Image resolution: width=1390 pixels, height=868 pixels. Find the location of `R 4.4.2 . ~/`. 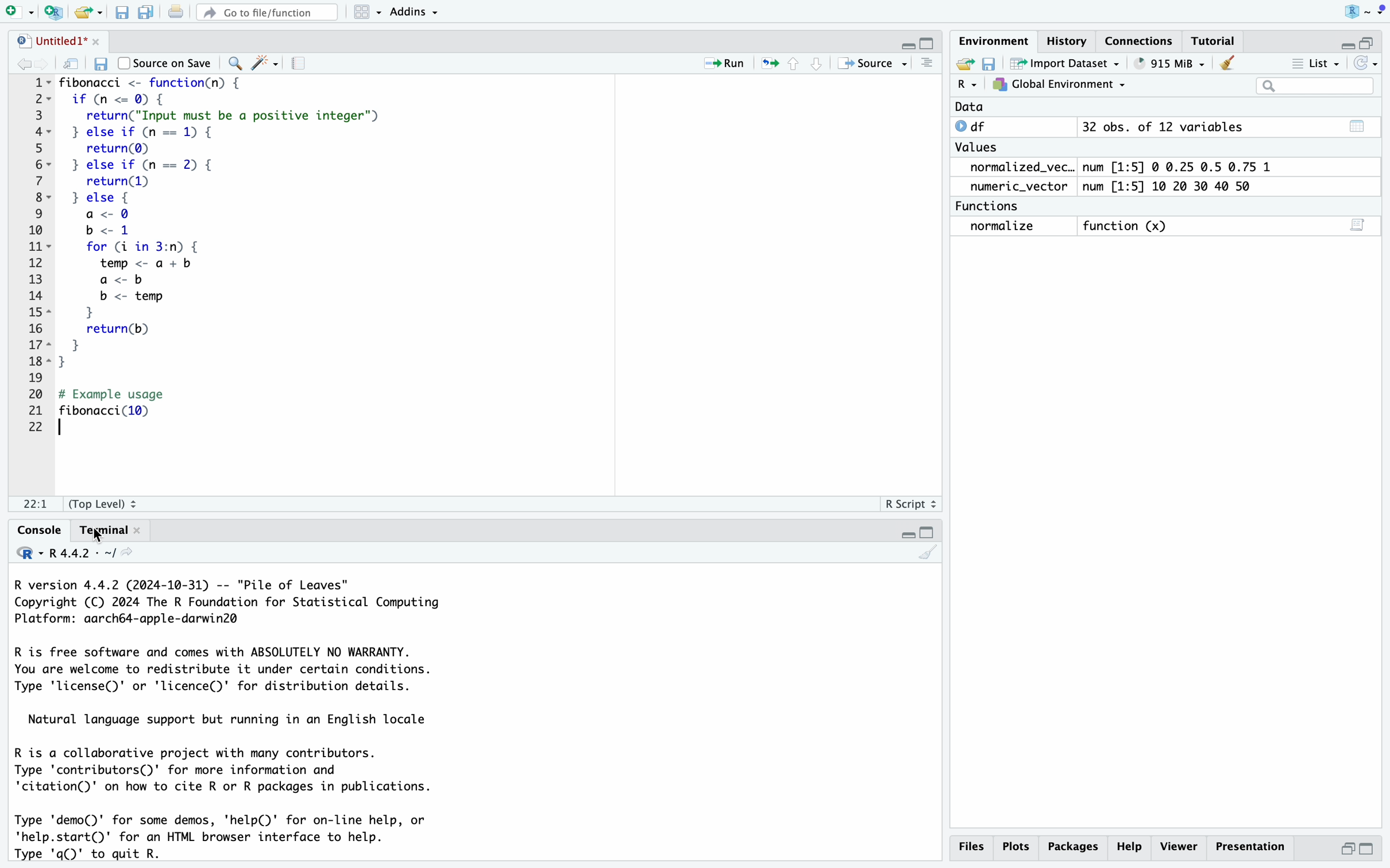

R 4.4.2 . ~/ is located at coordinates (82, 555).